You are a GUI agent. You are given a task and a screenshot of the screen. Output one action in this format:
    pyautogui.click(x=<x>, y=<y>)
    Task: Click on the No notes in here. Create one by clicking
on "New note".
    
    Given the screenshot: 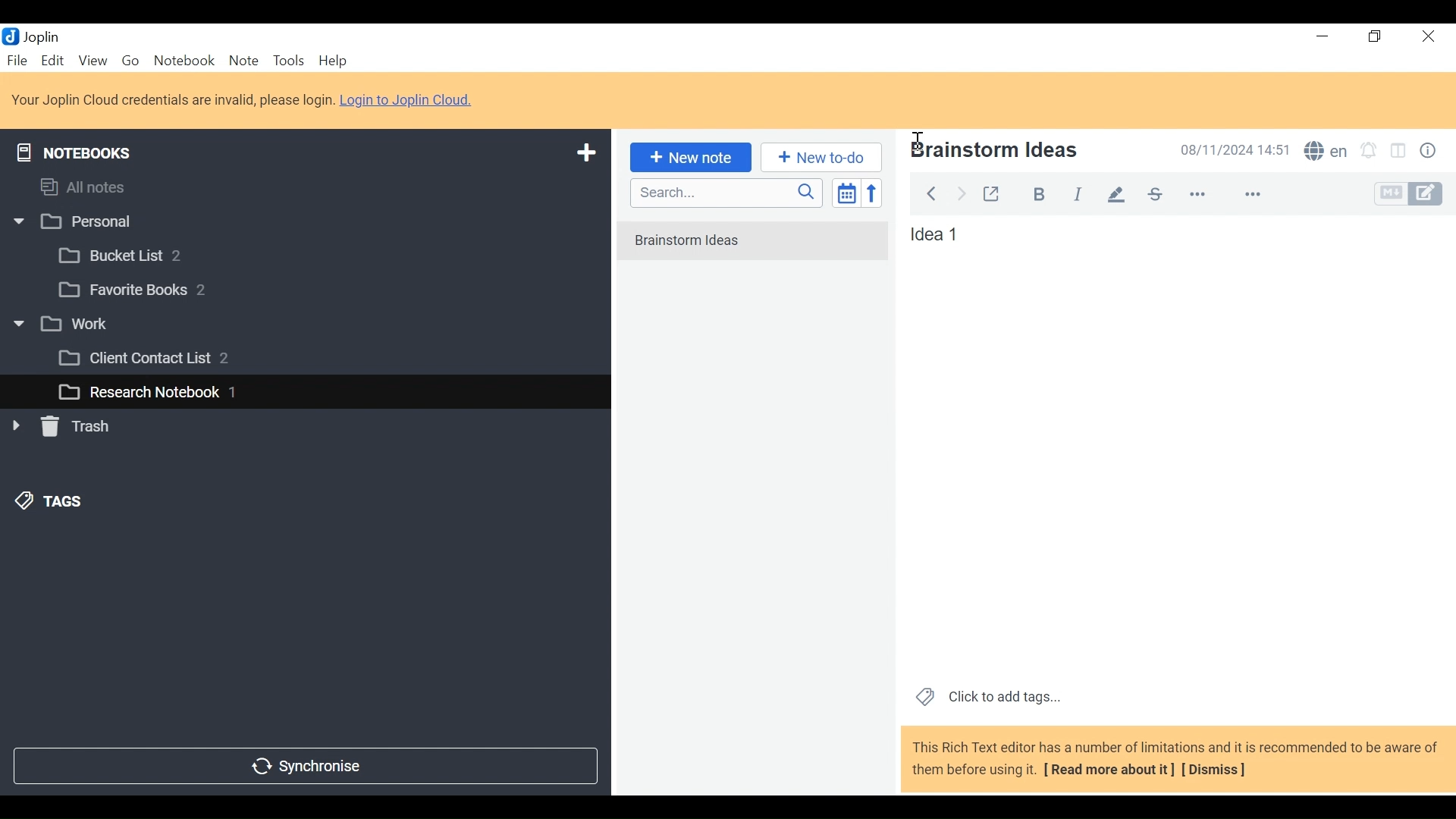 What is the action you would take?
    pyautogui.click(x=757, y=250)
    